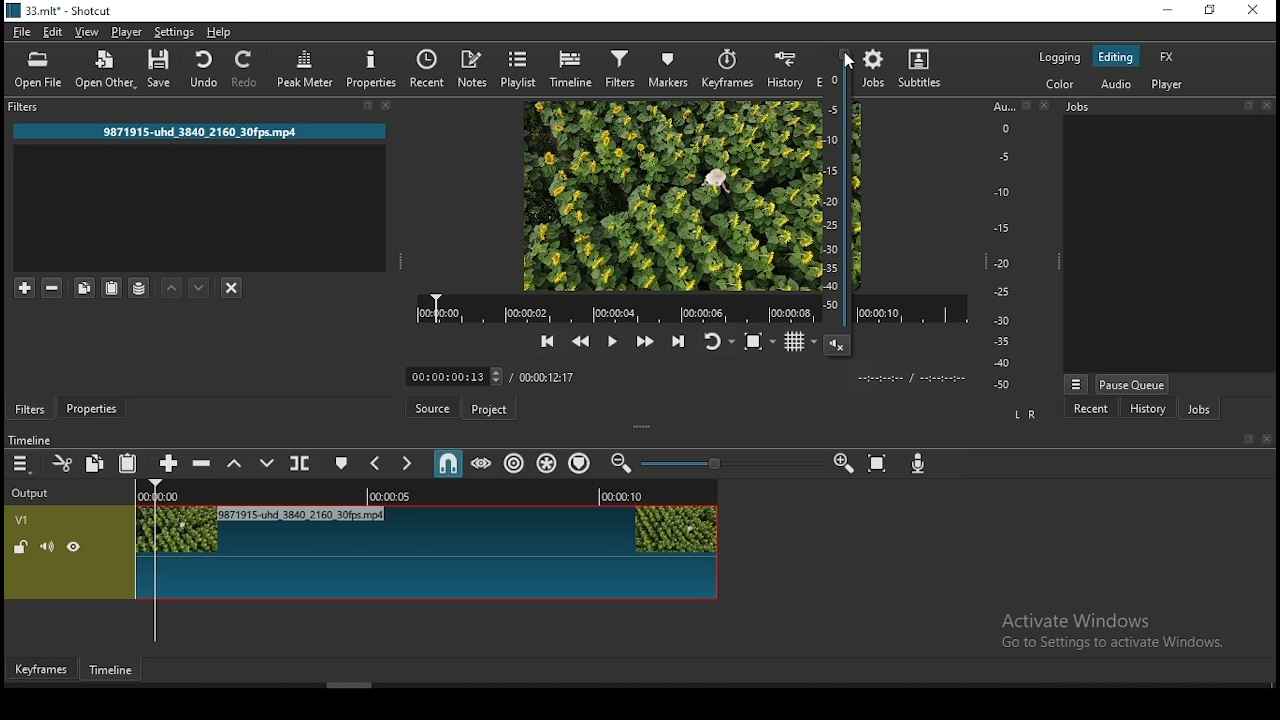 This screenshot has height=720, width=1280. Describe the element at coordinates (667, 68) in the screenshot. I see `markers` at that location.